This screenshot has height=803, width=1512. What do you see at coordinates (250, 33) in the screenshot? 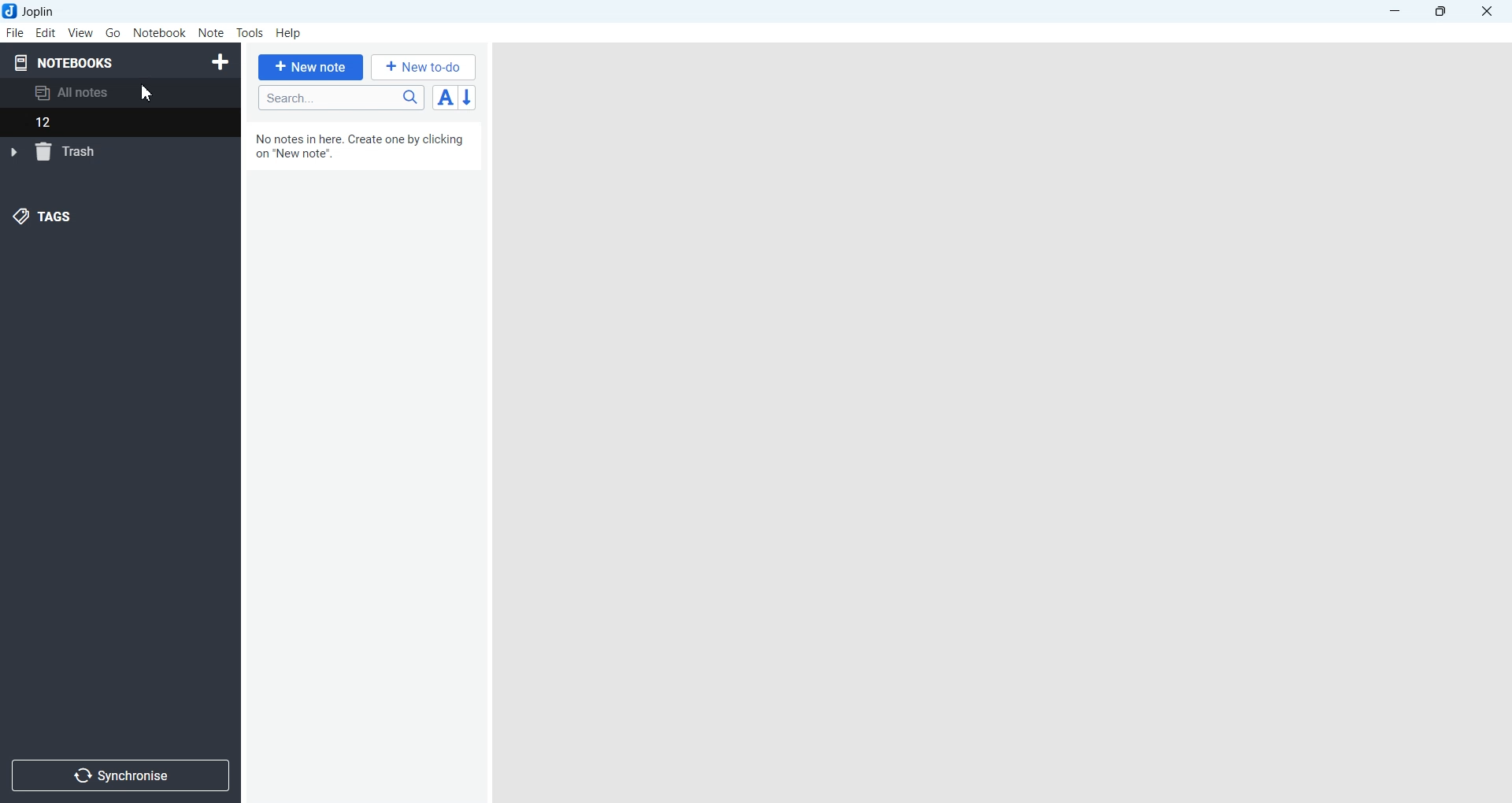
I see `Tools` at bounding box center [250, 33].